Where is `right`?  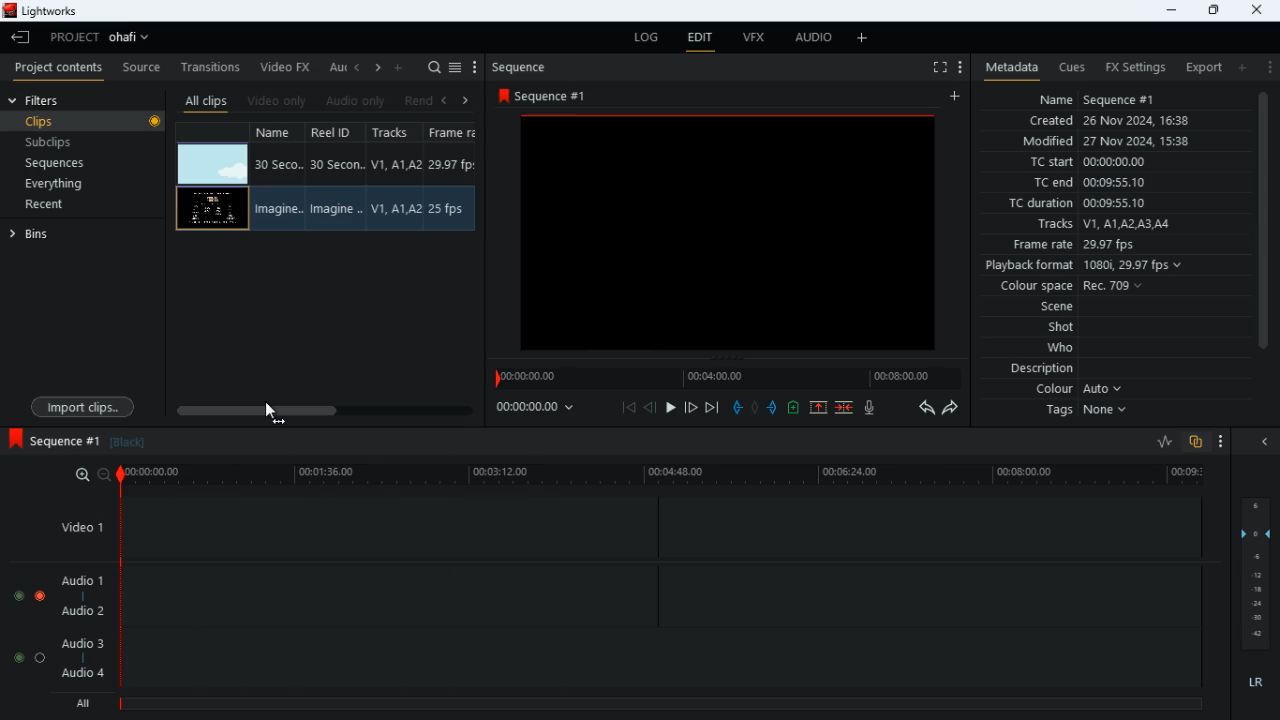
right is located at coordinates (466, 100).